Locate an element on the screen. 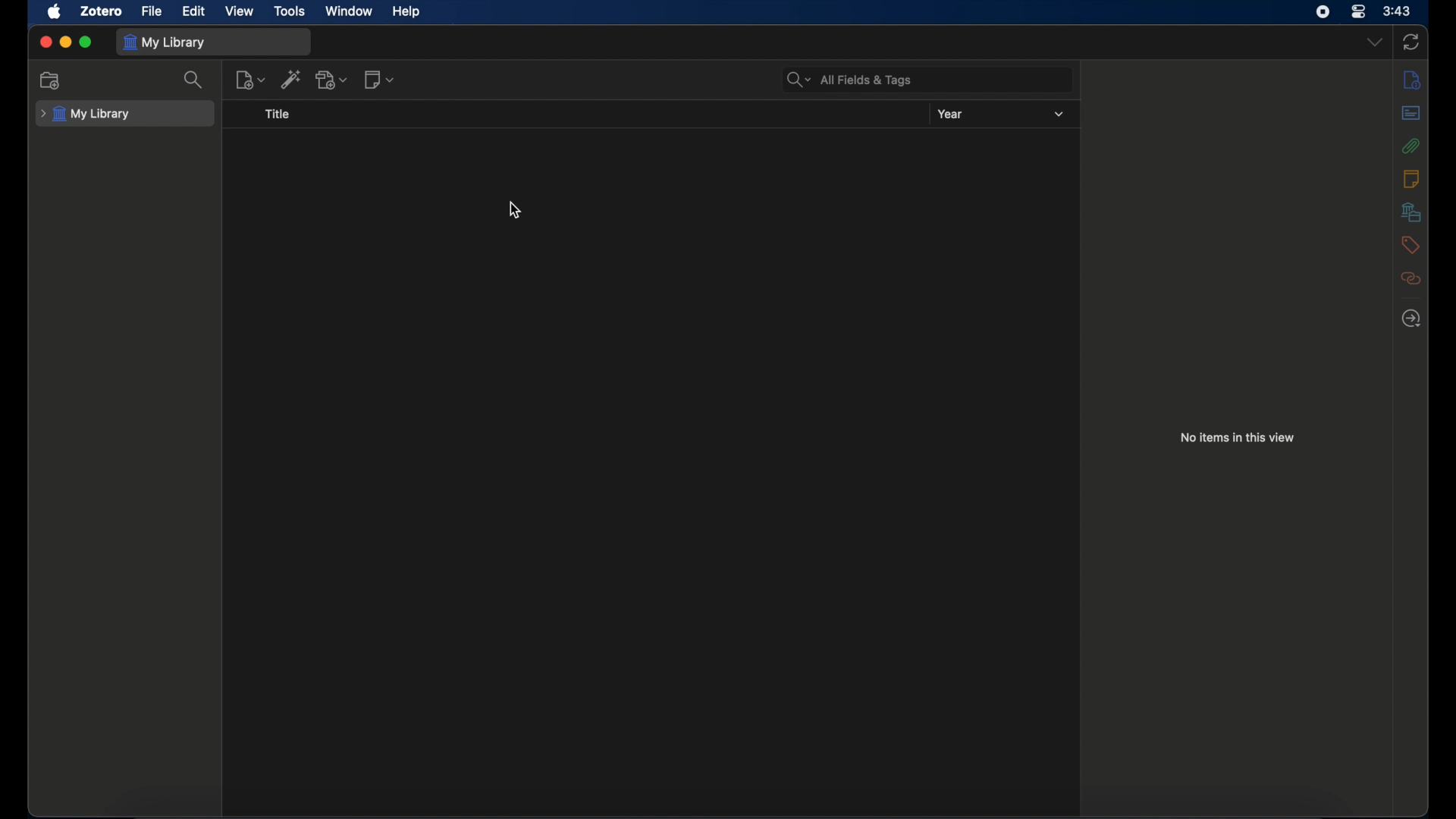 This screenshot has width=1456, height=819. window is located at coordinates (347, 11).